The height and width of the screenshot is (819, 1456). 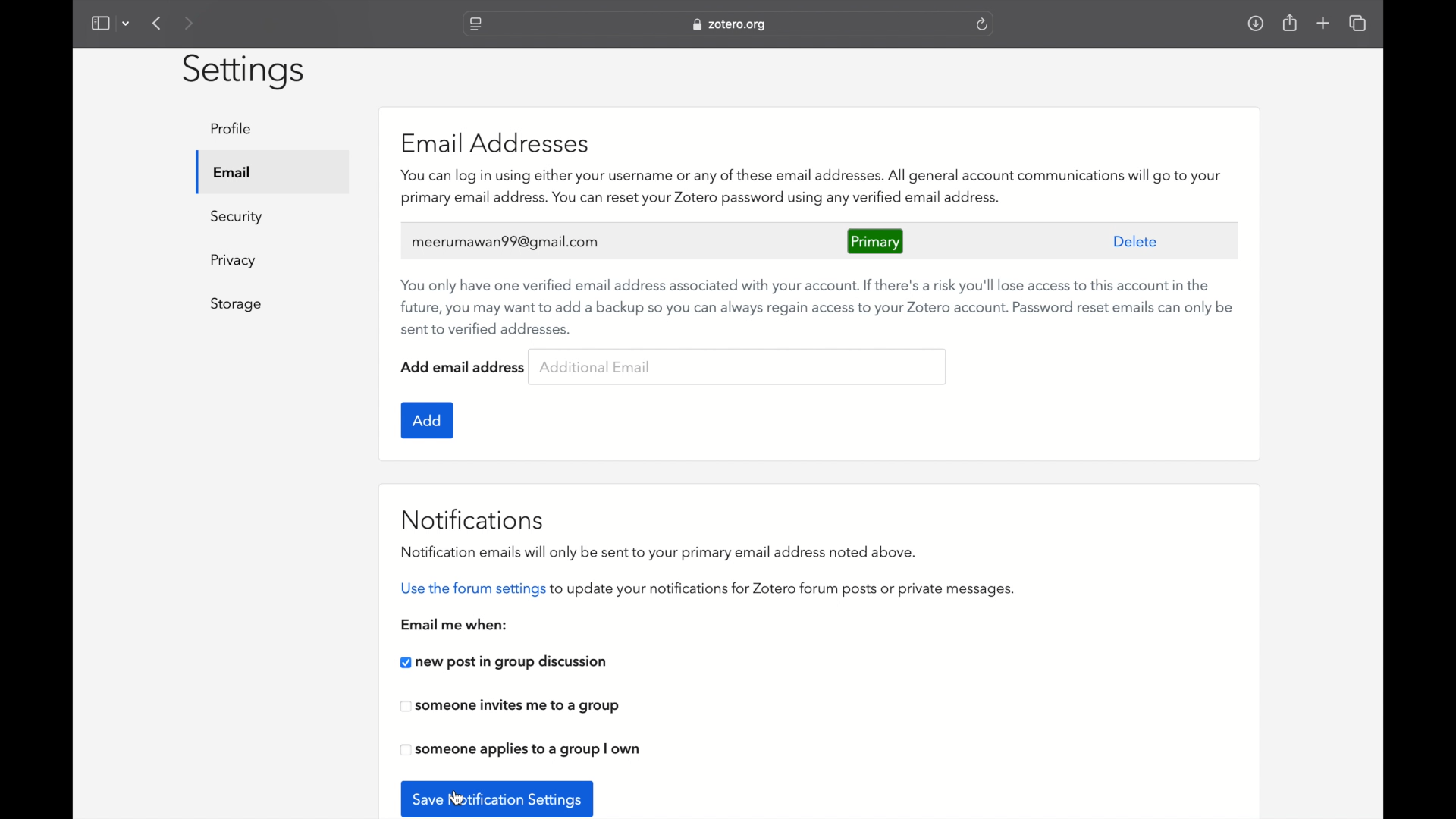 I want to click on share, so click(x=1291, y=24).